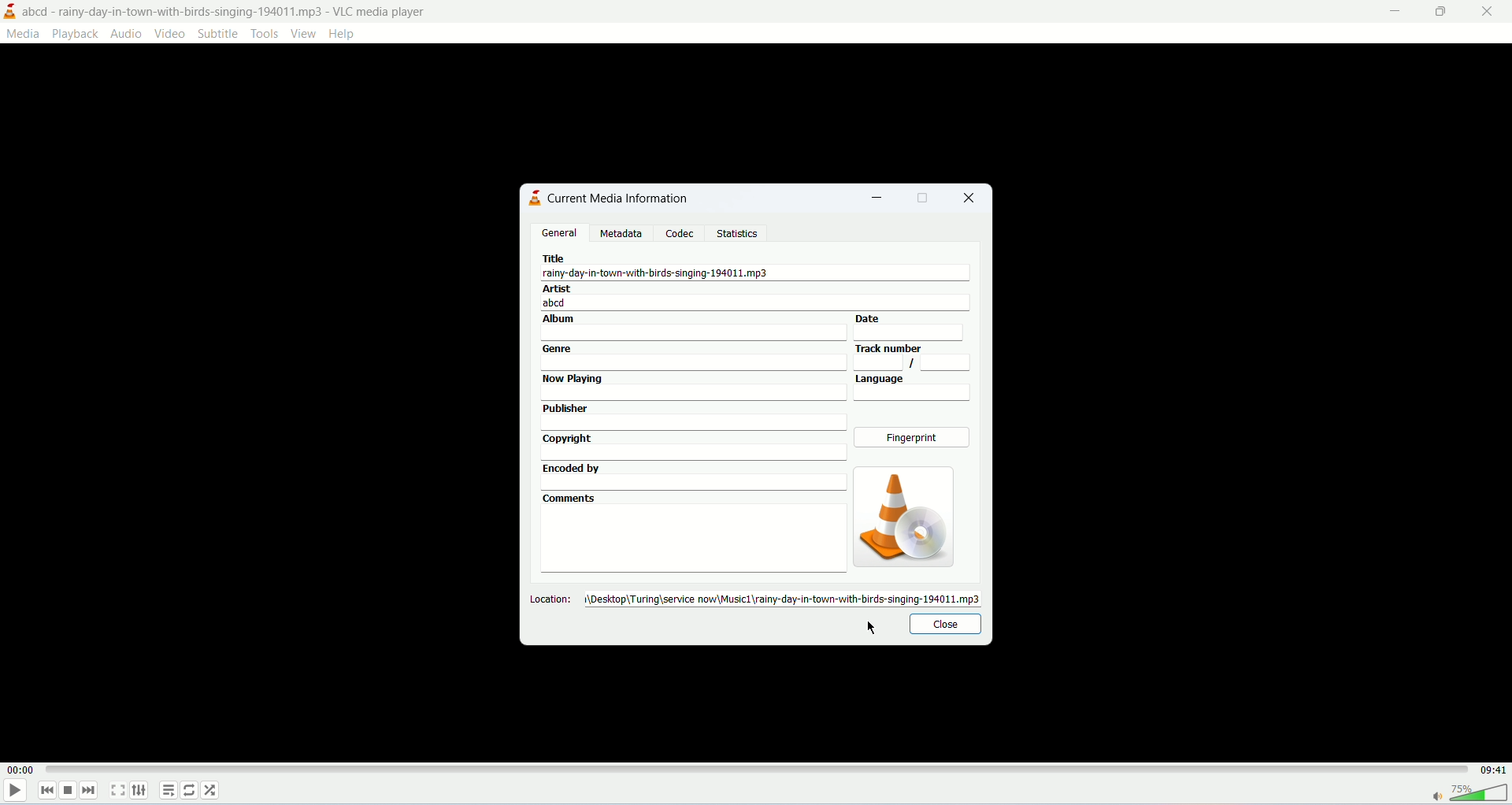 The height and width of the screenshot is (805, 1512). What do you see at coordinates (531, 198) in the screenshot?
I see `logo` at bounding box center [531, 198].